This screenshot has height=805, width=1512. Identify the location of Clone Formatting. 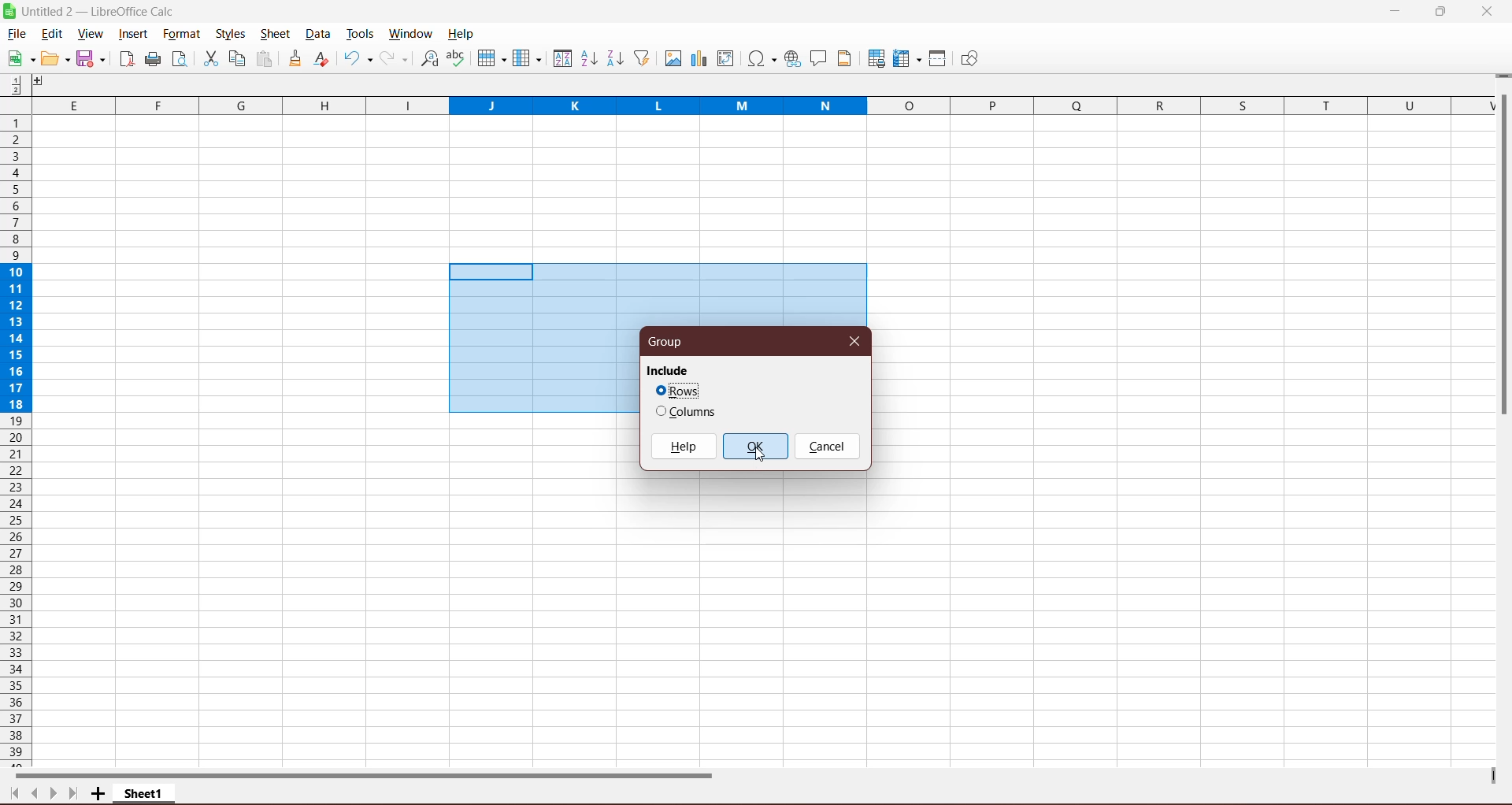
(296, 58).